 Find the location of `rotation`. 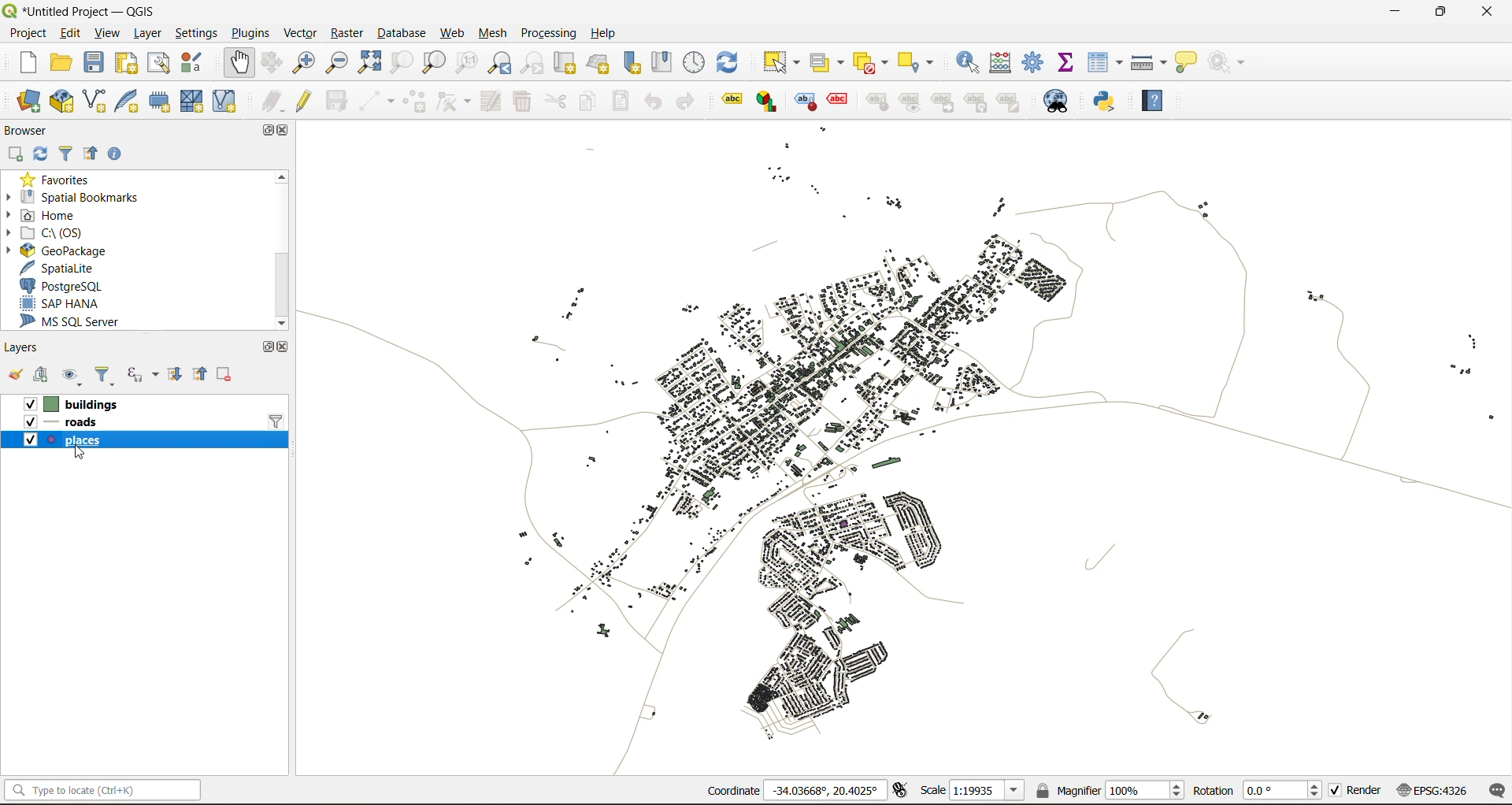

rotation is located at coordinates (1258, 792).